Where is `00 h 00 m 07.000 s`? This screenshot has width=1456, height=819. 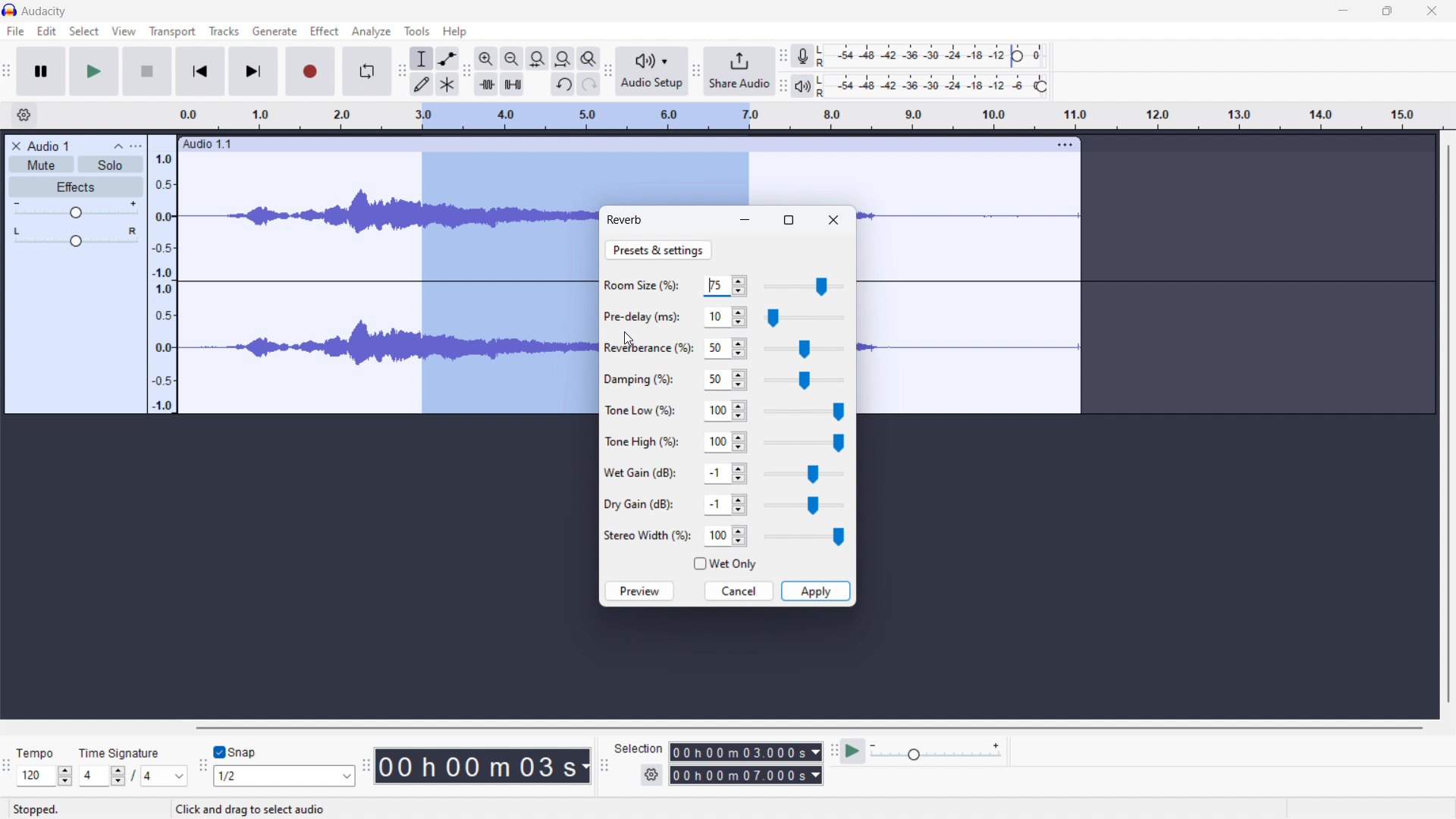 00 h 00 m 07.000 s is located at coordinates (745, 777).